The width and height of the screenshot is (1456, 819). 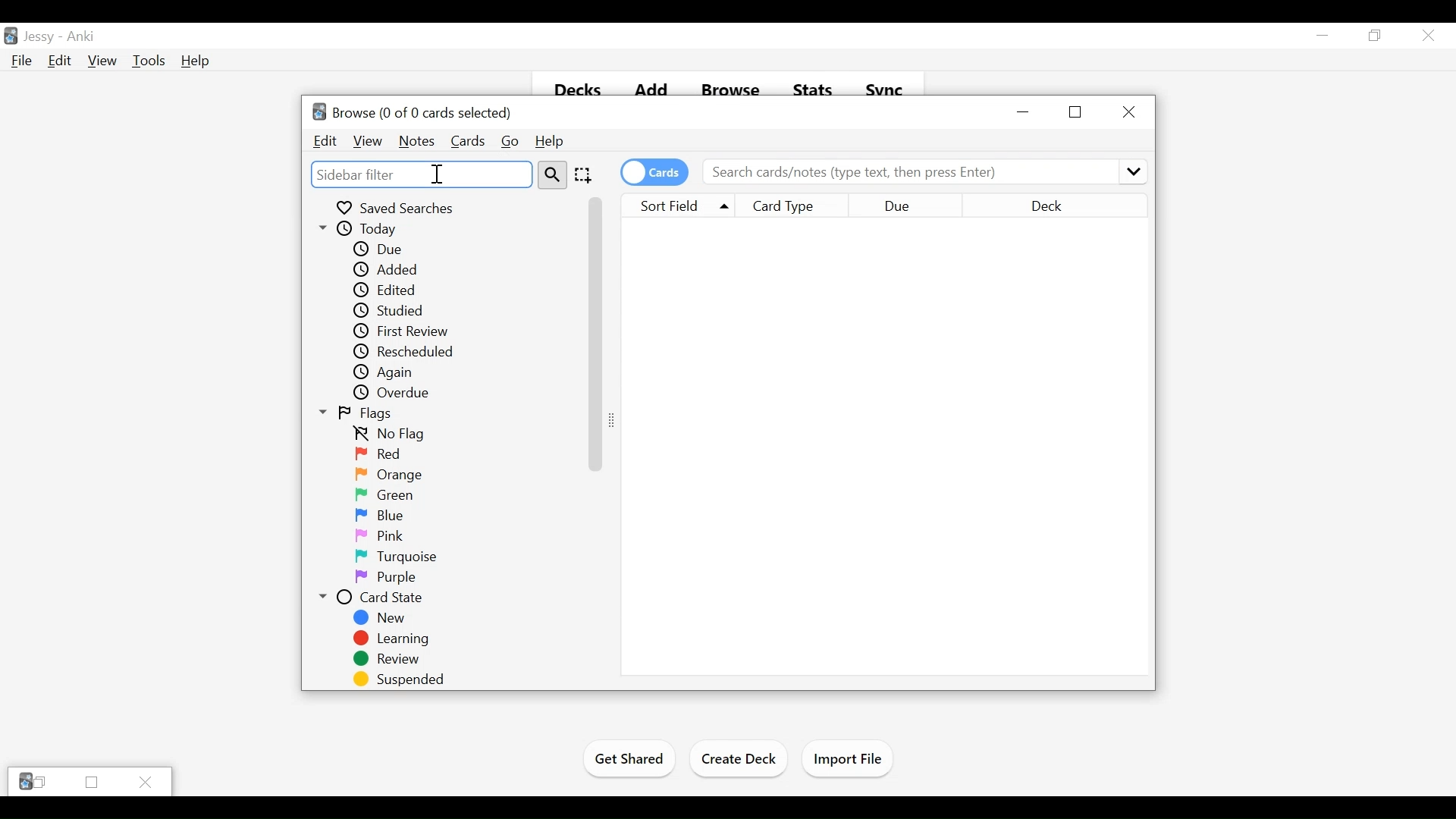 What do you see at coordinates (398, 393) in the screenshot?
I see `Overdue` at bounding box center [398, 393].